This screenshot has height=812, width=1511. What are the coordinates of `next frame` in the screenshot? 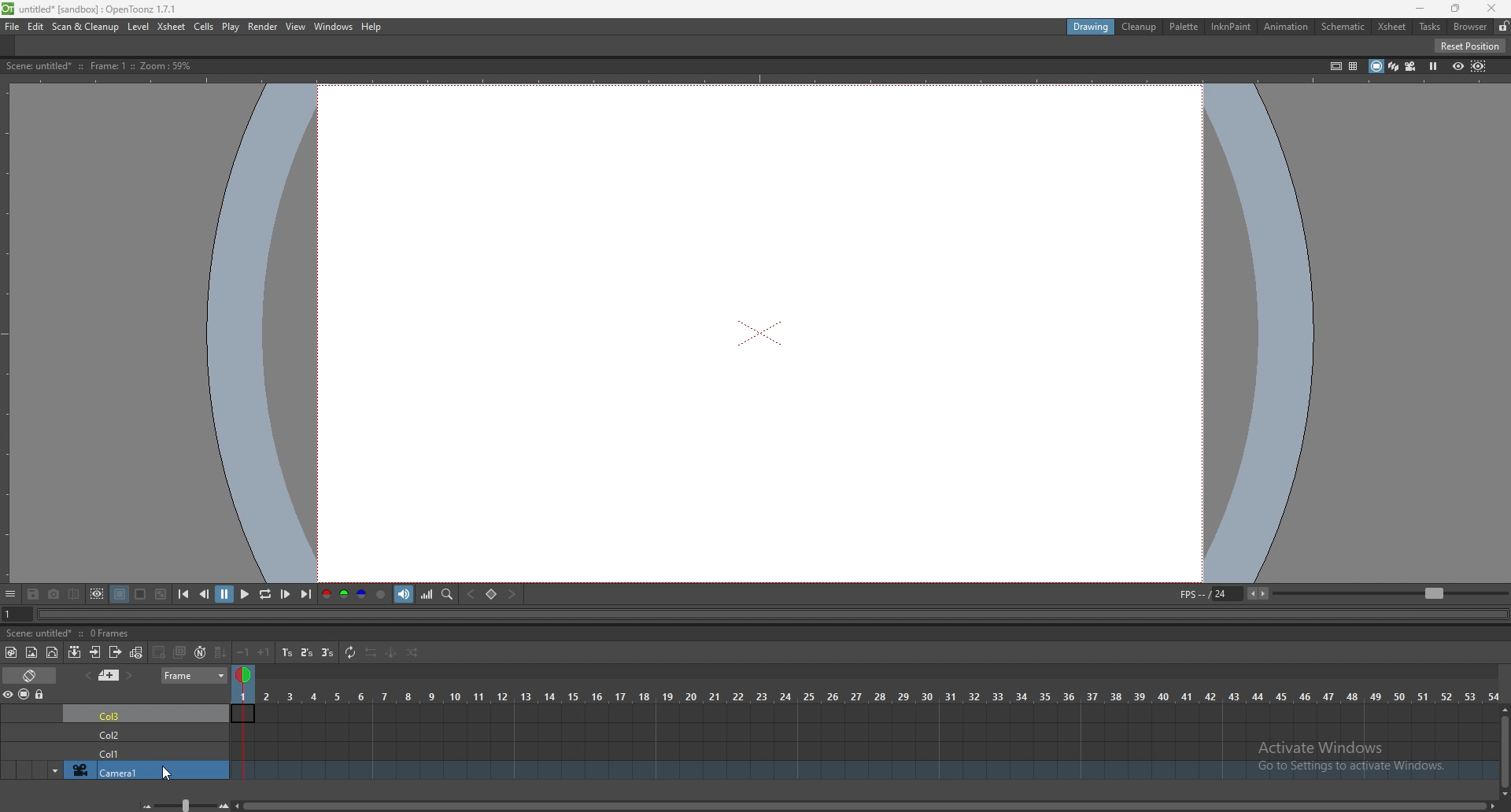 It's located at (285, 594).